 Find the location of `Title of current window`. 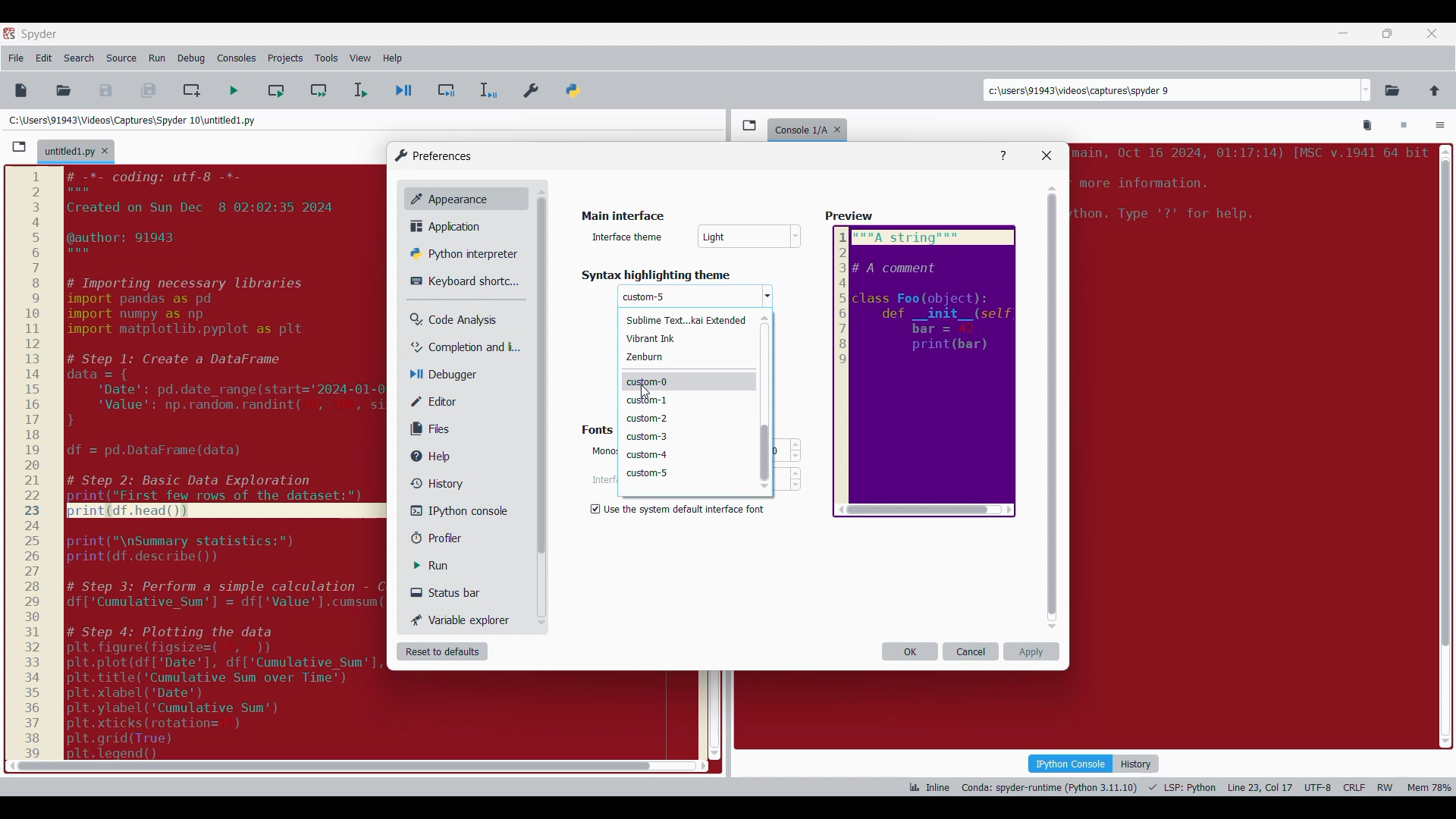

Title of current window is located at coordinates (621, 217).